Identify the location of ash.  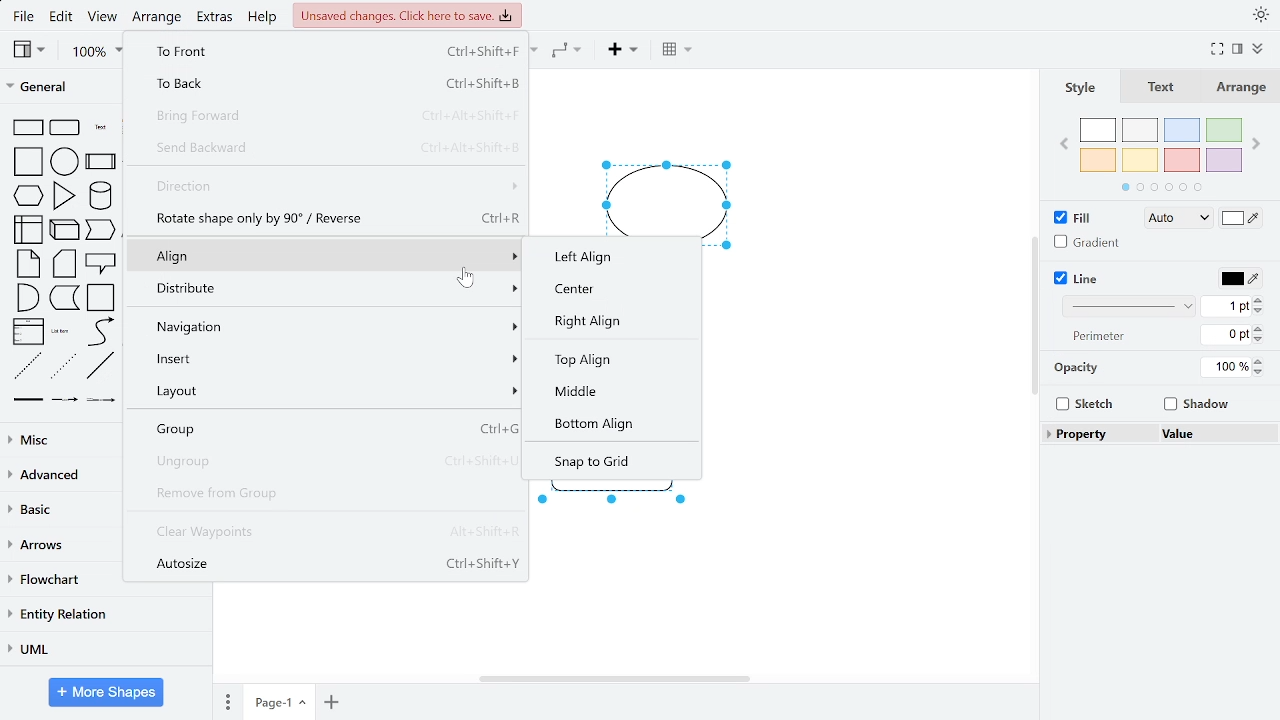
(1140, 129).